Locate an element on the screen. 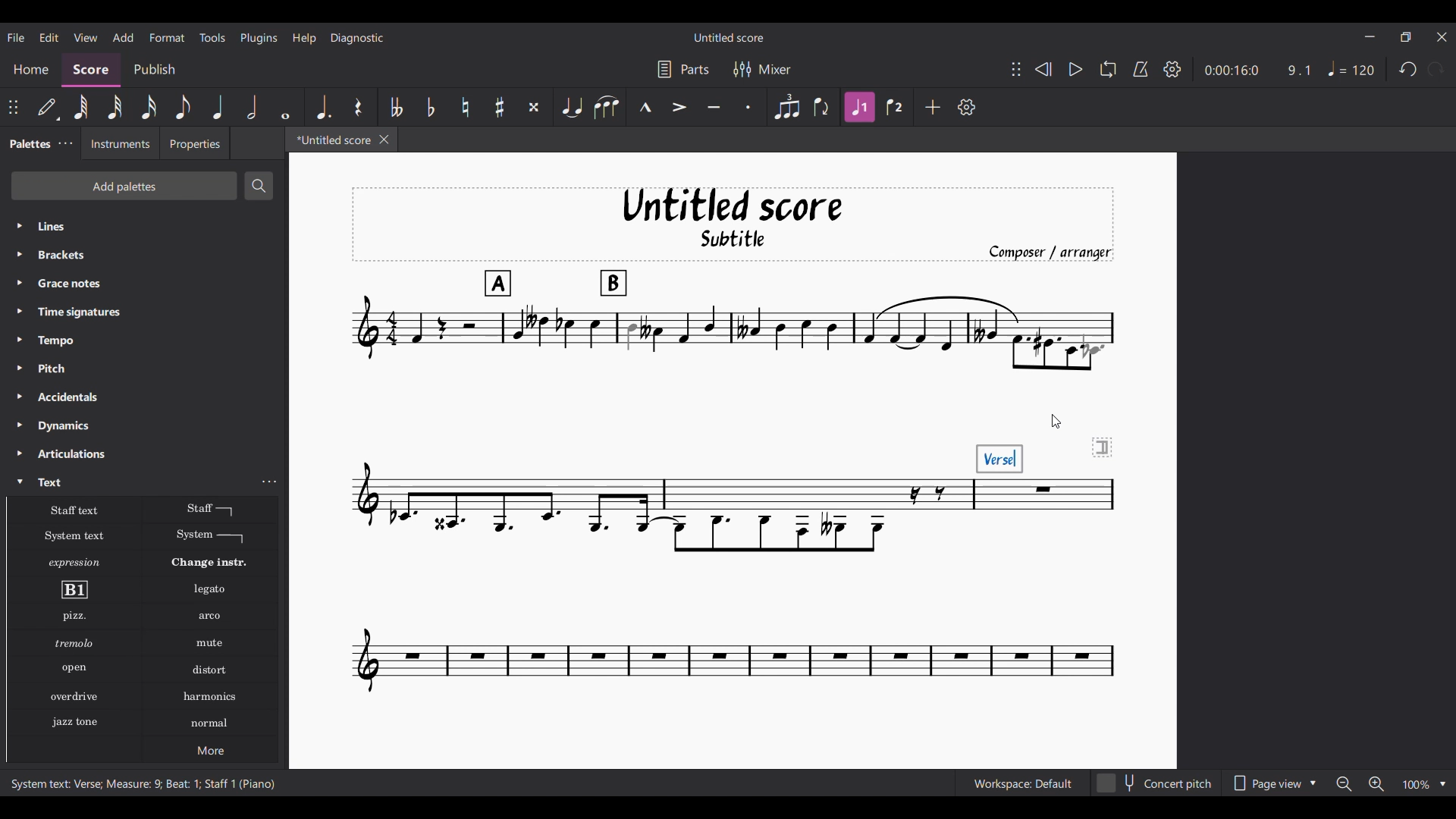 The width and height of the screenshot is (1456, 819). Untitled score is located at coordinates (729, 38).